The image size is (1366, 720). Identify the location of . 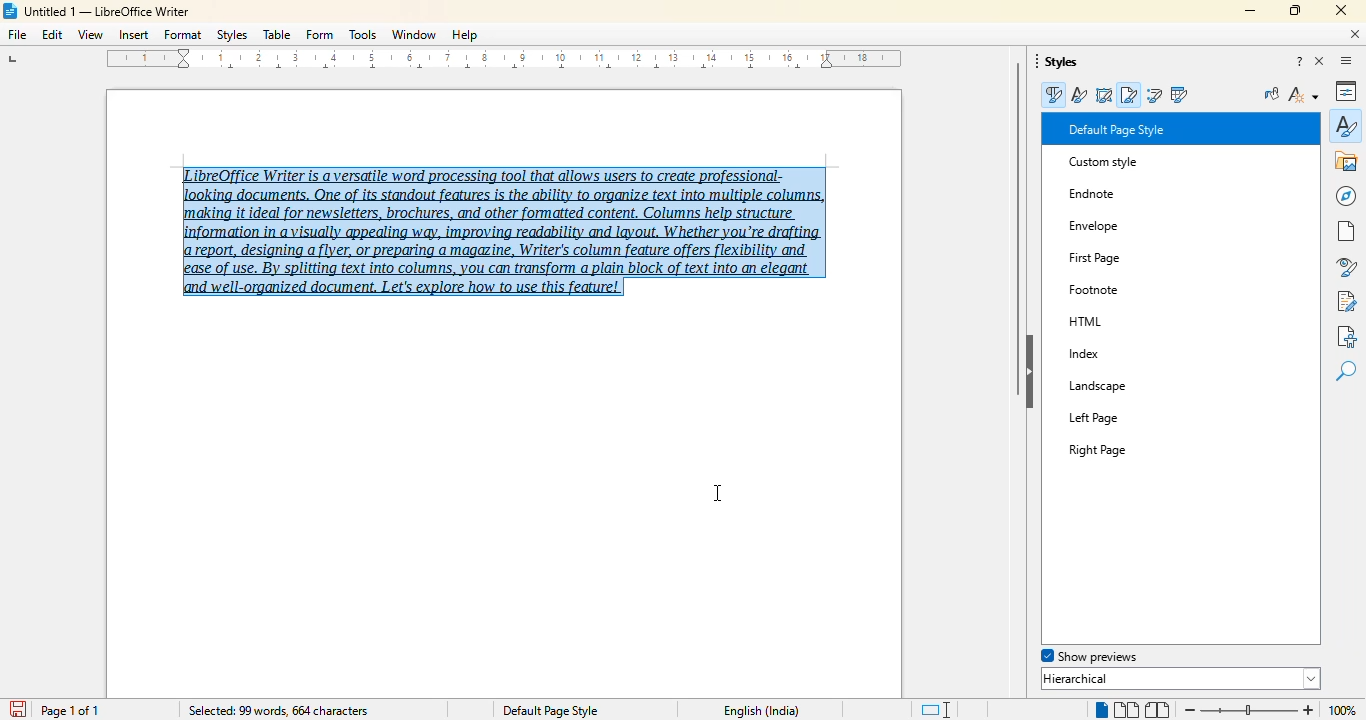
(1092, 256).